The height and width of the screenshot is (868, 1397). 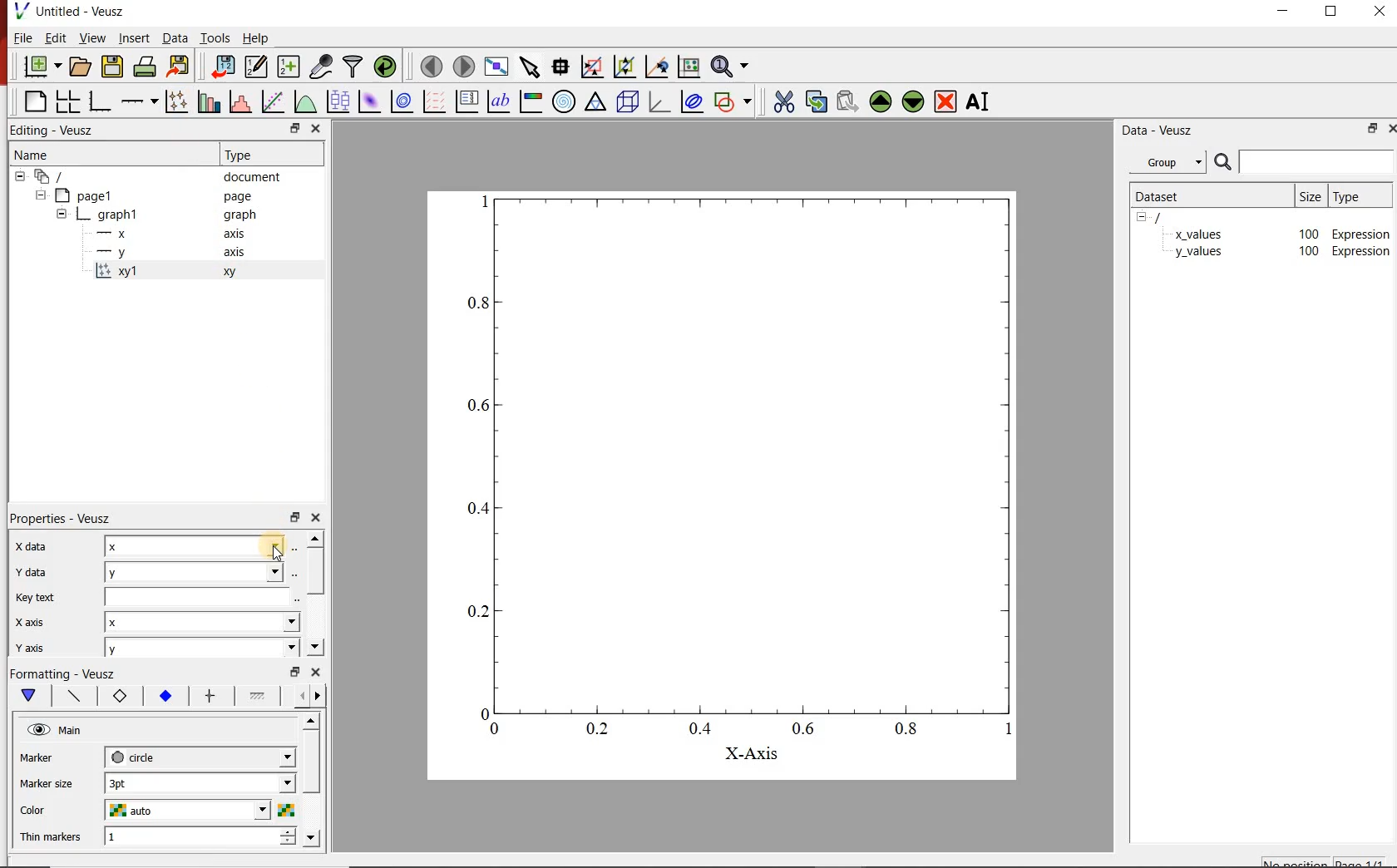 What do you see at coordinates (878, 103) in the screenshot?
I see `move up the the selected widget` at bounding box center [878, 103].